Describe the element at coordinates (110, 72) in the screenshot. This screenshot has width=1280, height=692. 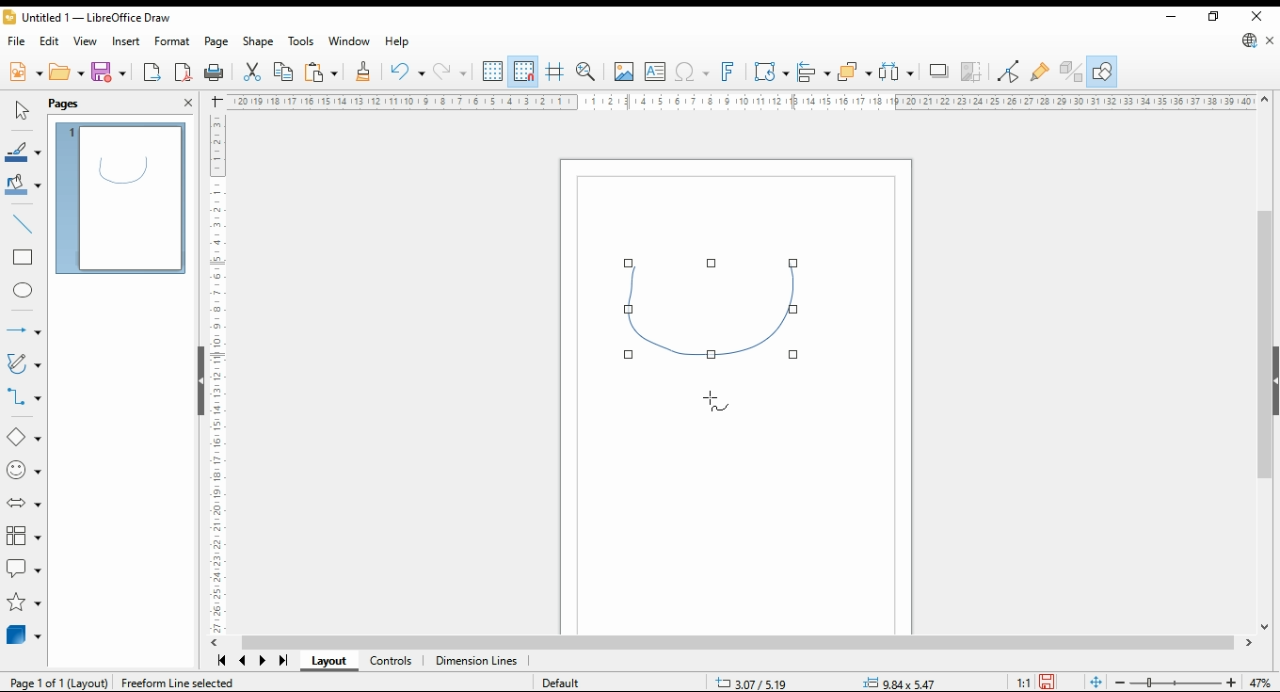
I see `save` at that location.